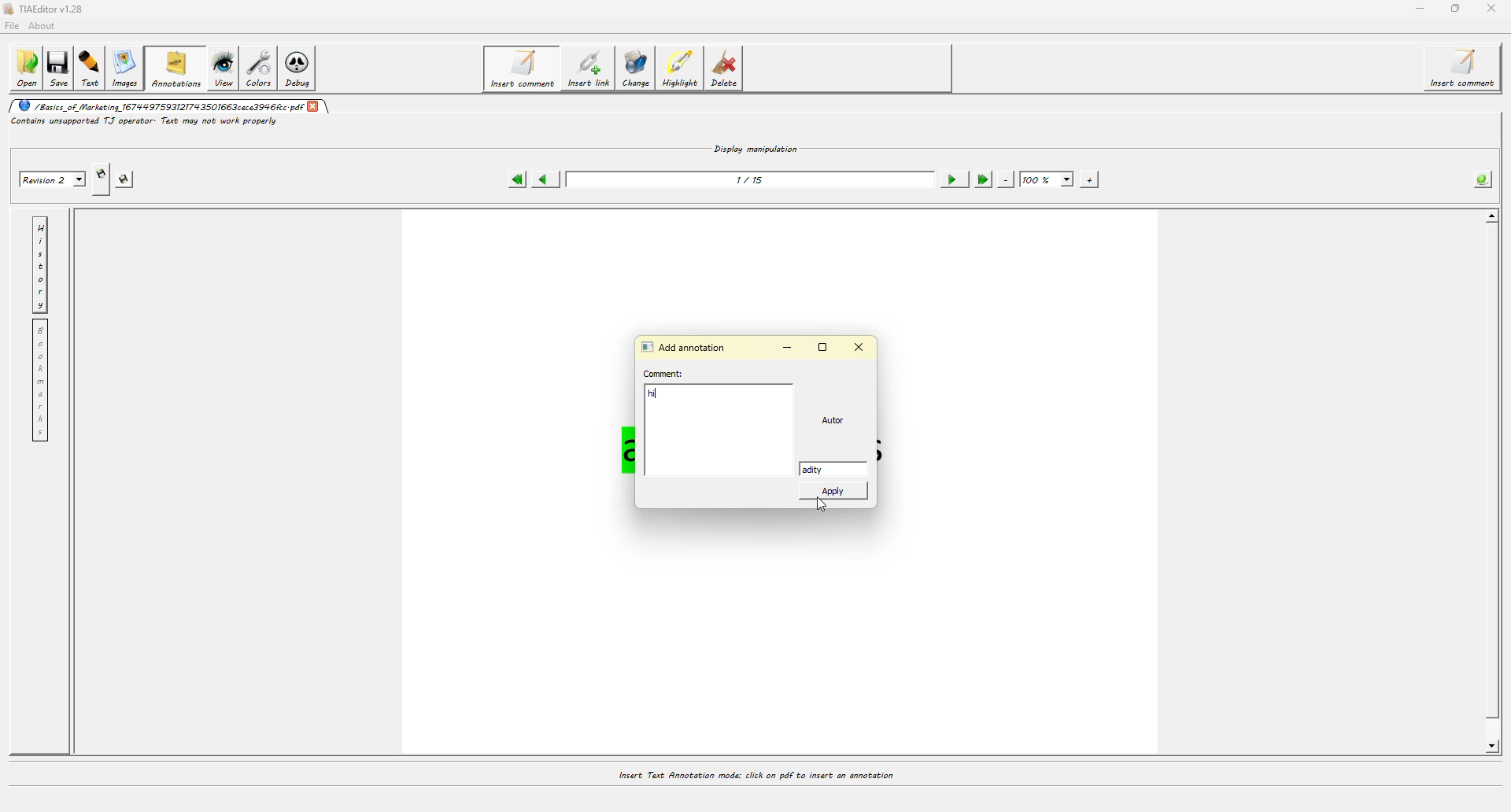 This screenshot has height=812, width=1511. Describe the element at coordinates (1006, 179) in the screenshot. I see `zoom out` at that location.